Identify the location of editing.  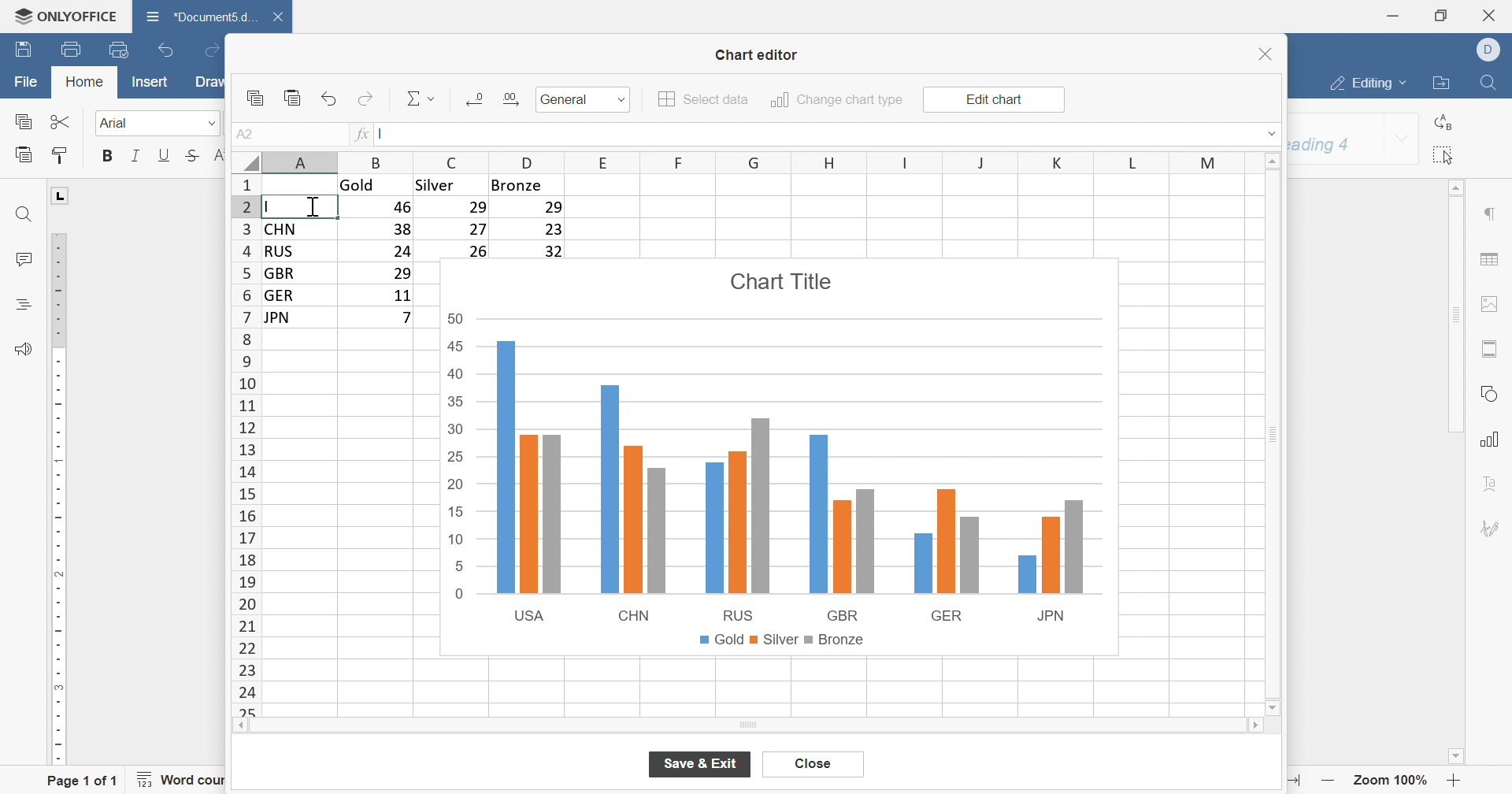
(1369, 84).